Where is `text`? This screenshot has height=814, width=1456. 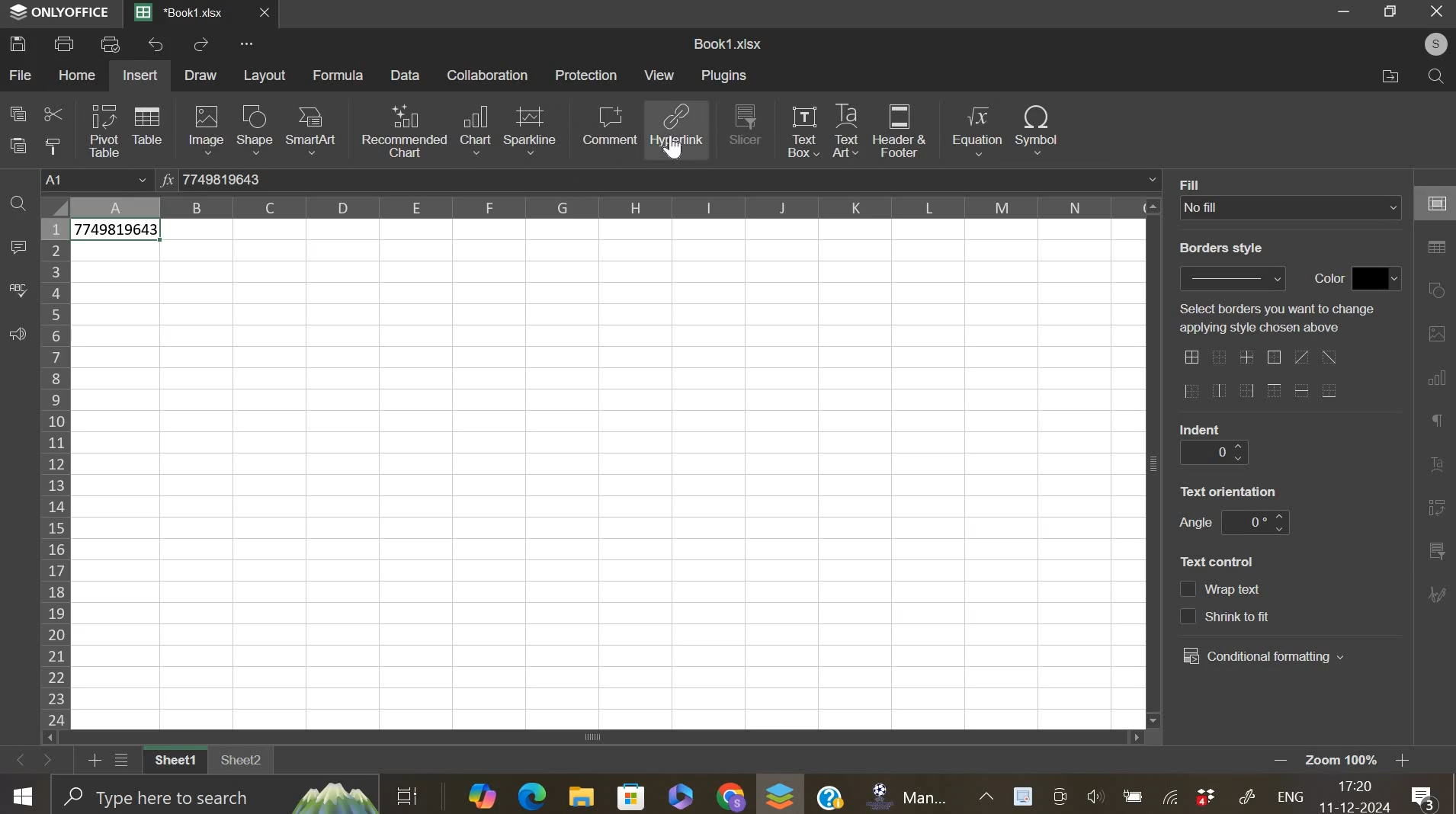
text is located at coordinates (1195, 524).